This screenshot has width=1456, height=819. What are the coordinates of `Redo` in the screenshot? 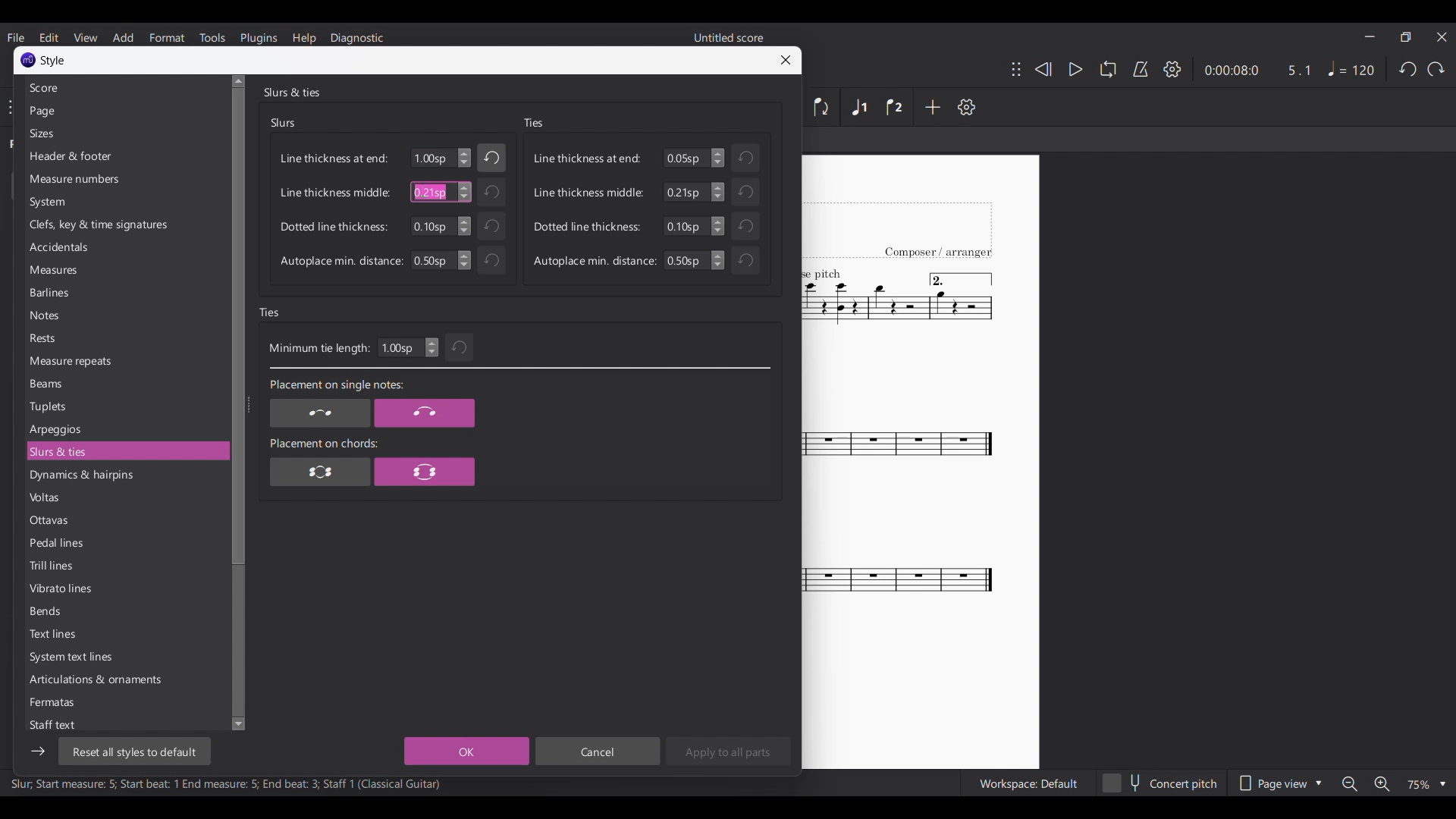 It's located at (1436, 69).